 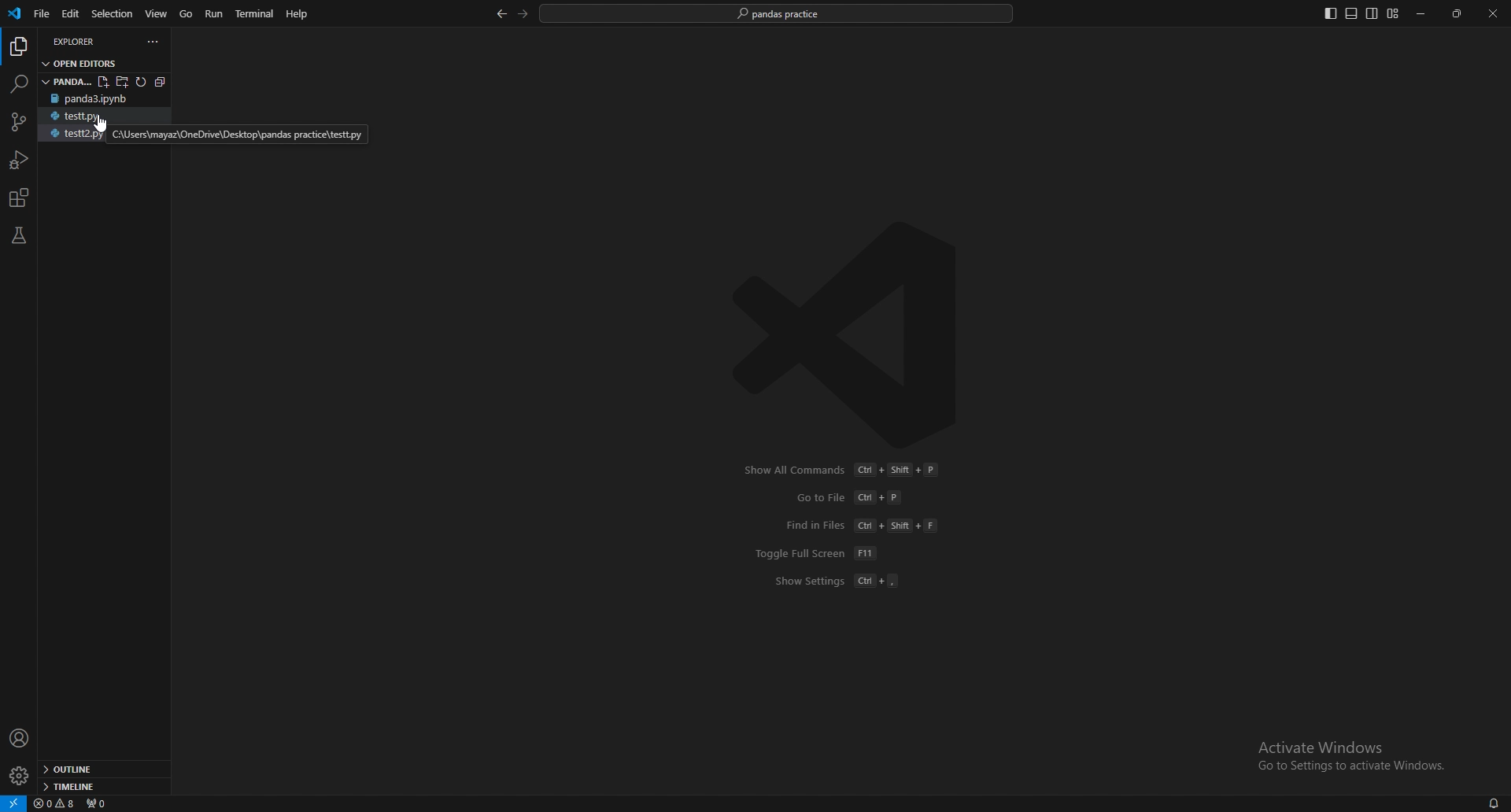 What do you see at coordinates (1425, 14) in the screenshot?
I see `minimize` at bounding box center [1425, 14].